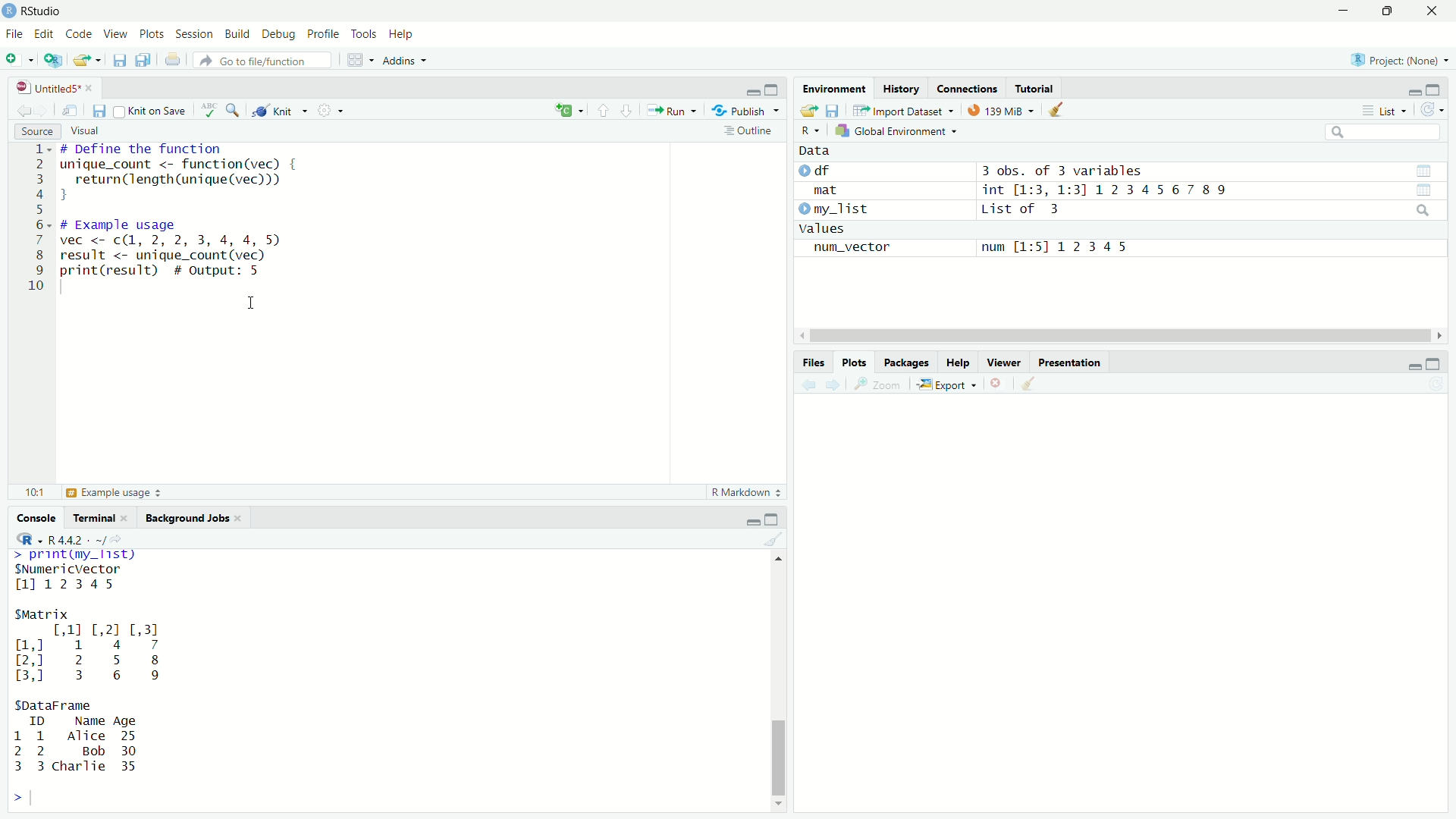 This screenshot has width=1456, height=819. Describe the element at coordinates (946, 385) in the screenshot. I see `Export` at that location.